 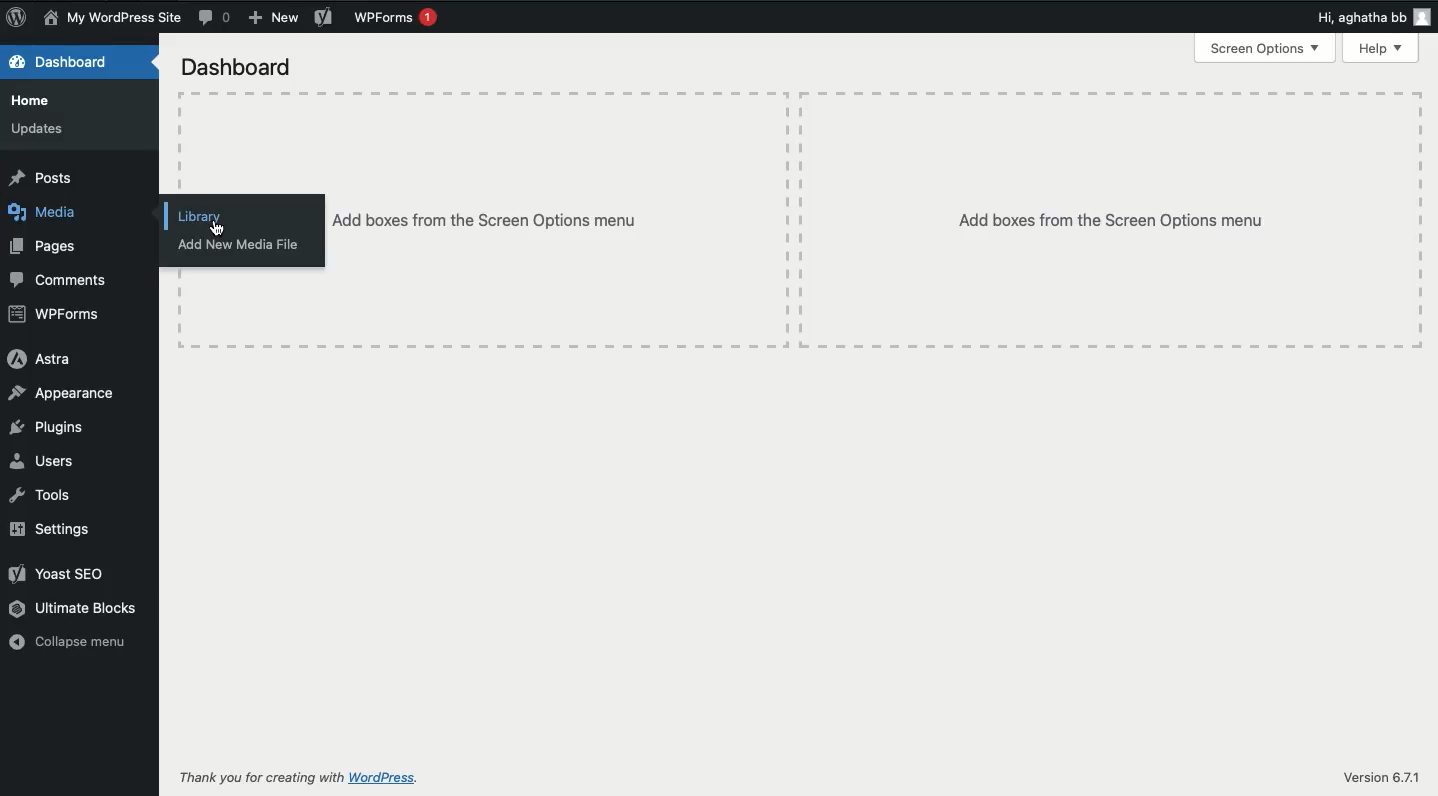 I want to click on Users, so click(x=48, y=459).